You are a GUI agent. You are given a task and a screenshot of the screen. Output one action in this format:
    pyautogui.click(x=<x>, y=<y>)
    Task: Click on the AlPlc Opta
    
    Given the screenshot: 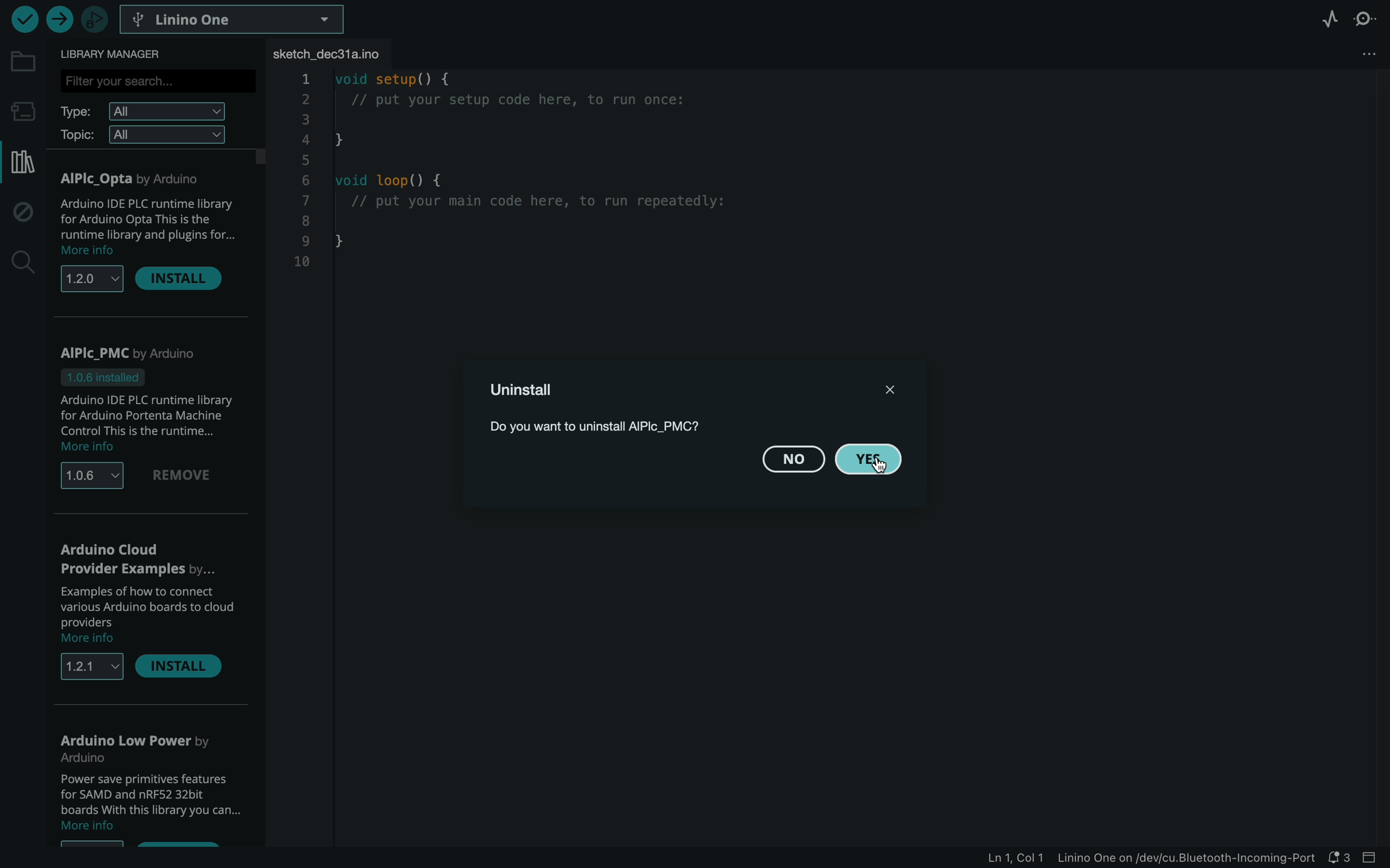 What is the action you would take?
    pyautogui.click(x=140, y=180)
    